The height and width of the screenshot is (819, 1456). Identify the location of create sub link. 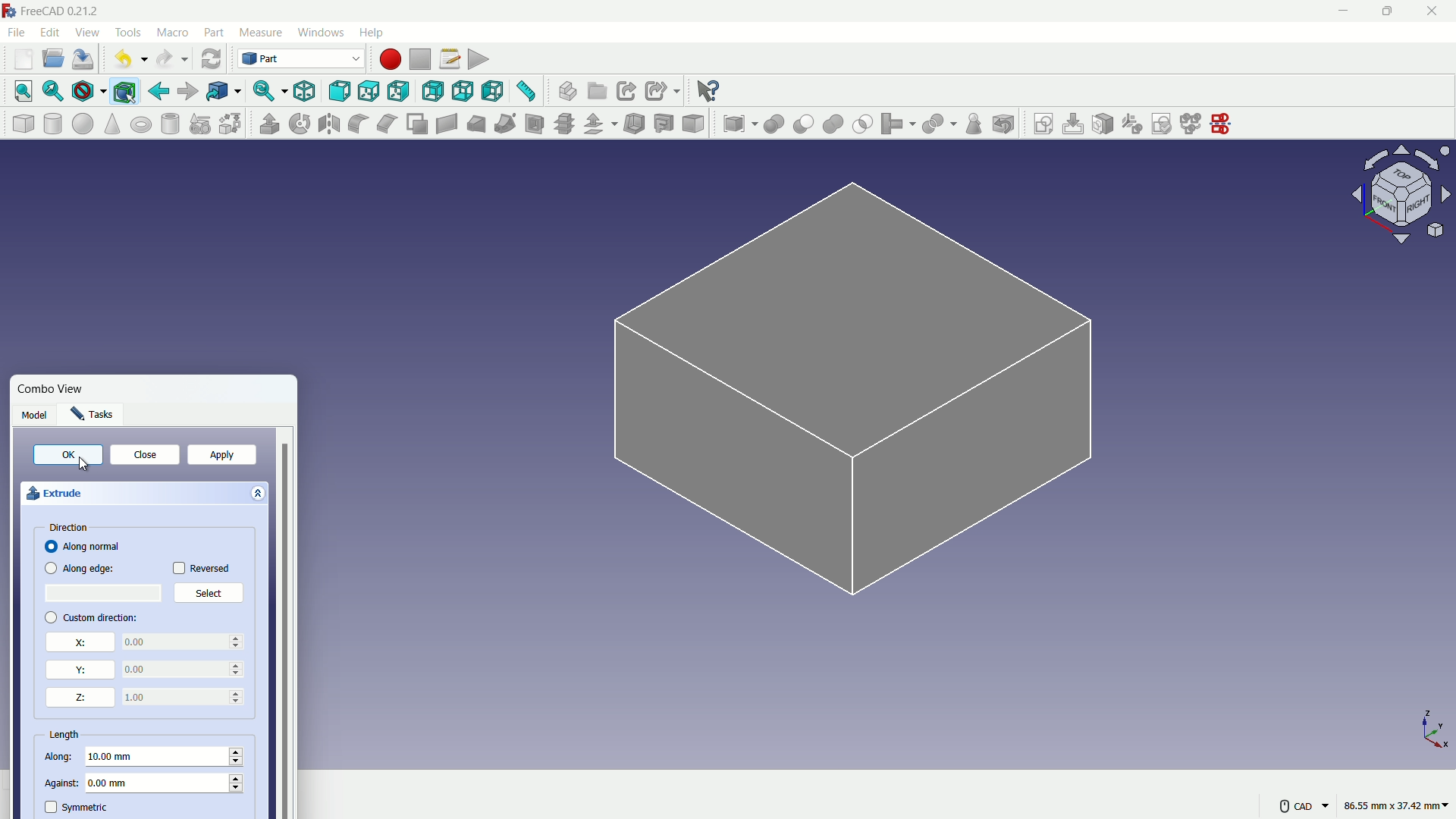
(662, 90).